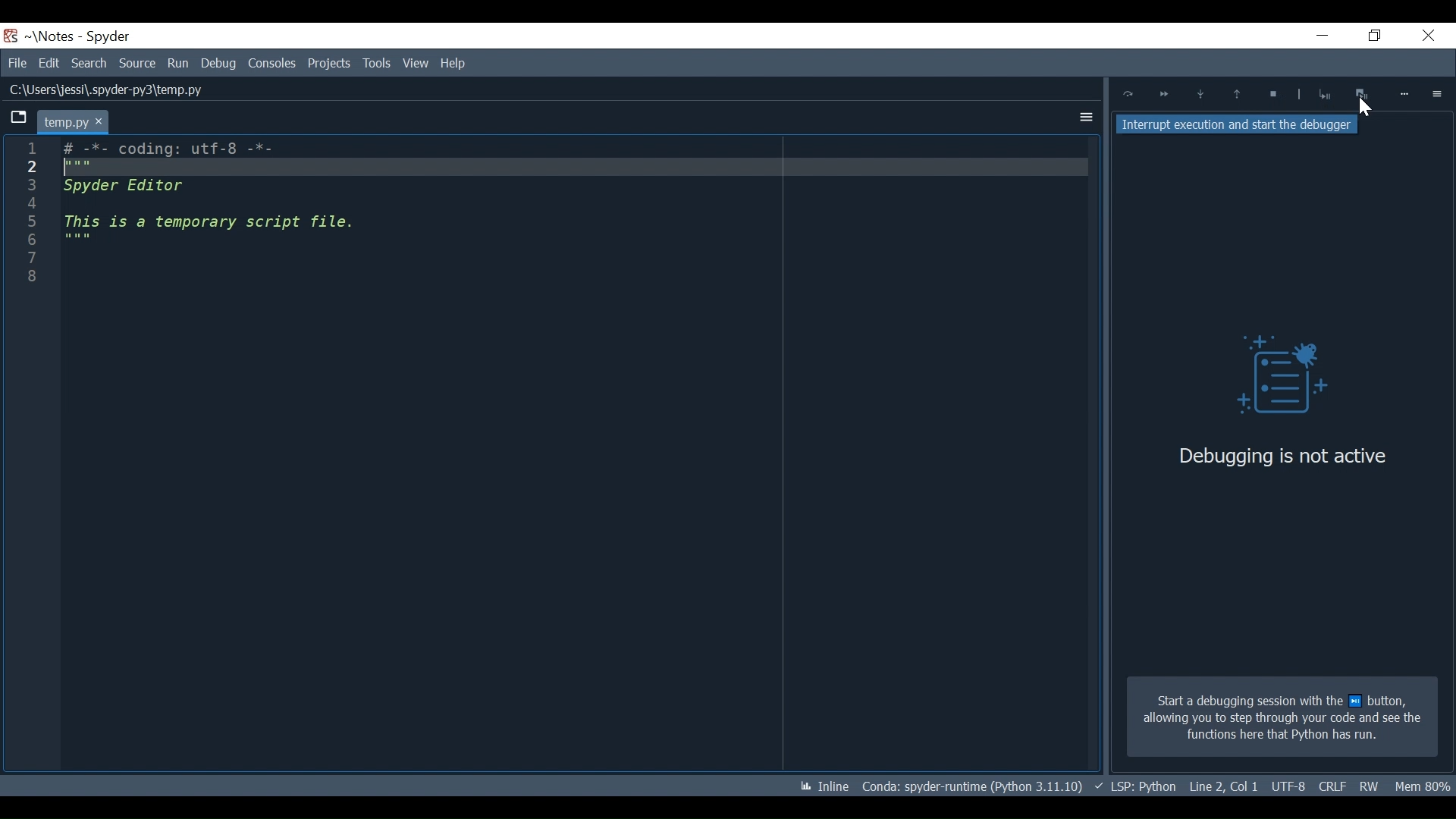 The height and width of the screenshot is (819, 1456). Describe the element at coordinates (49, 63) in the screenshot. I see `Edit` at that location.